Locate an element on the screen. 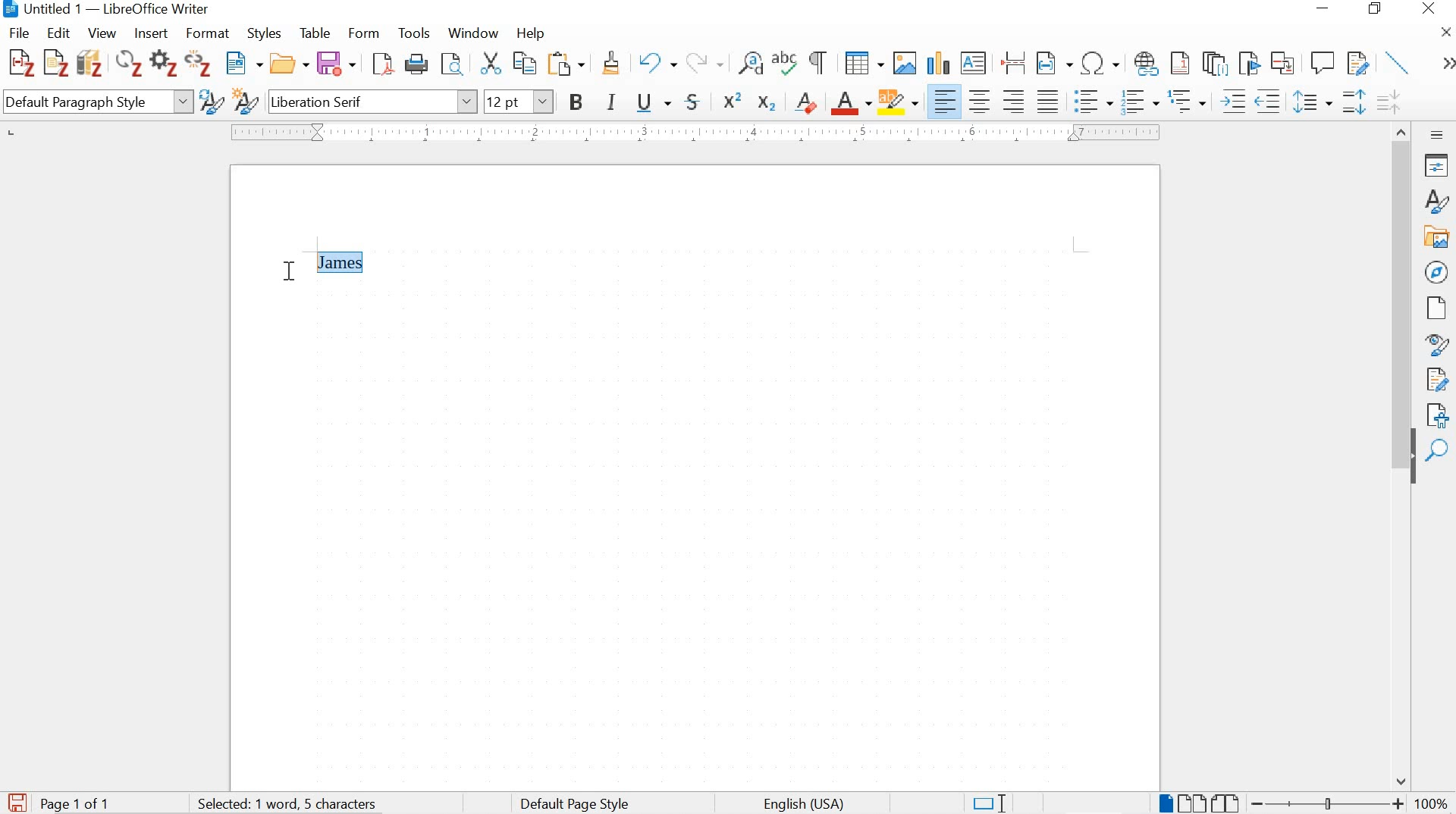 The width and height of the screenshot is (1456, 814). decrease paragraph spacing is located at coordinates (1388, 104).